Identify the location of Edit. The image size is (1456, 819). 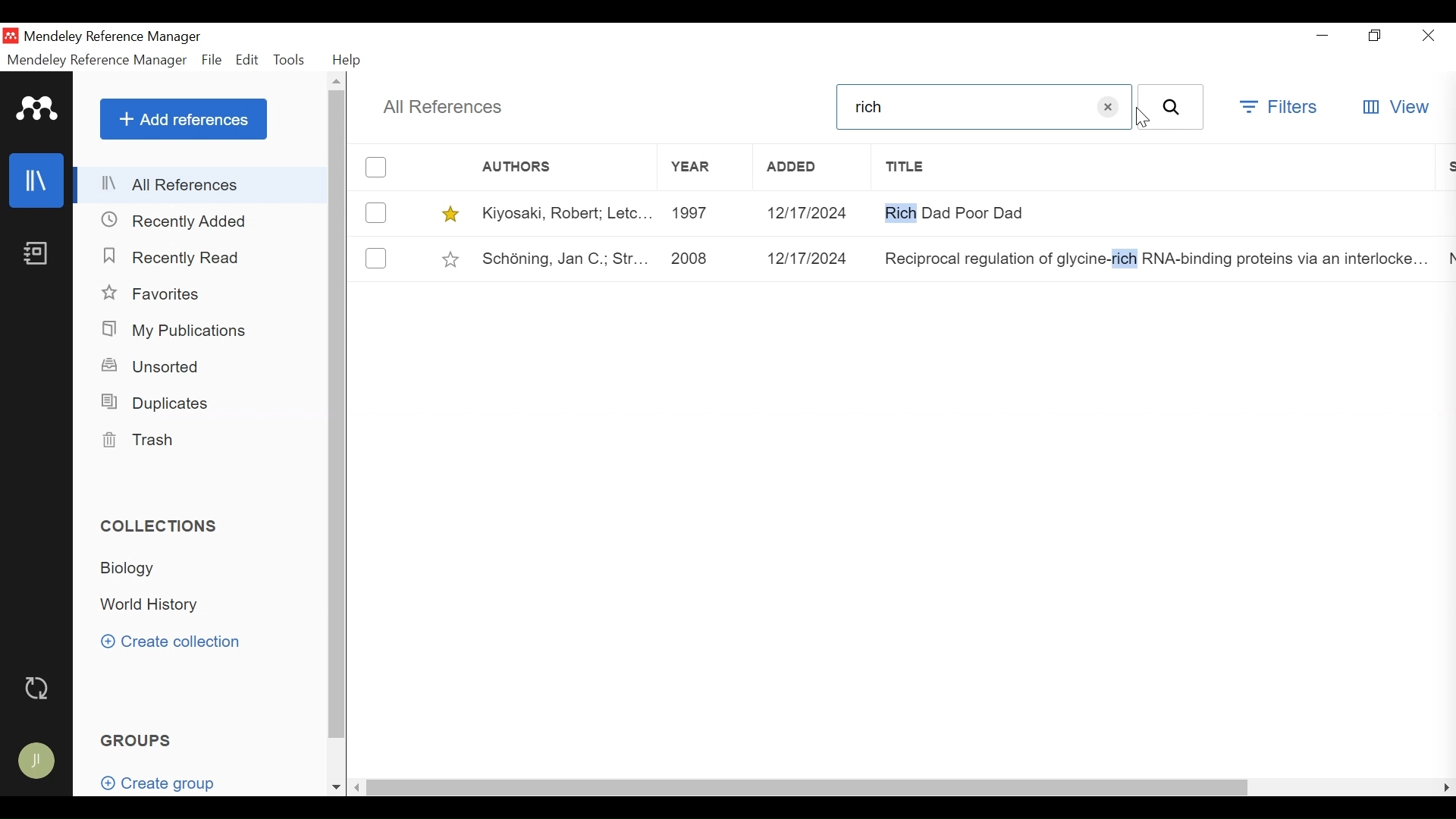
(248, 59).